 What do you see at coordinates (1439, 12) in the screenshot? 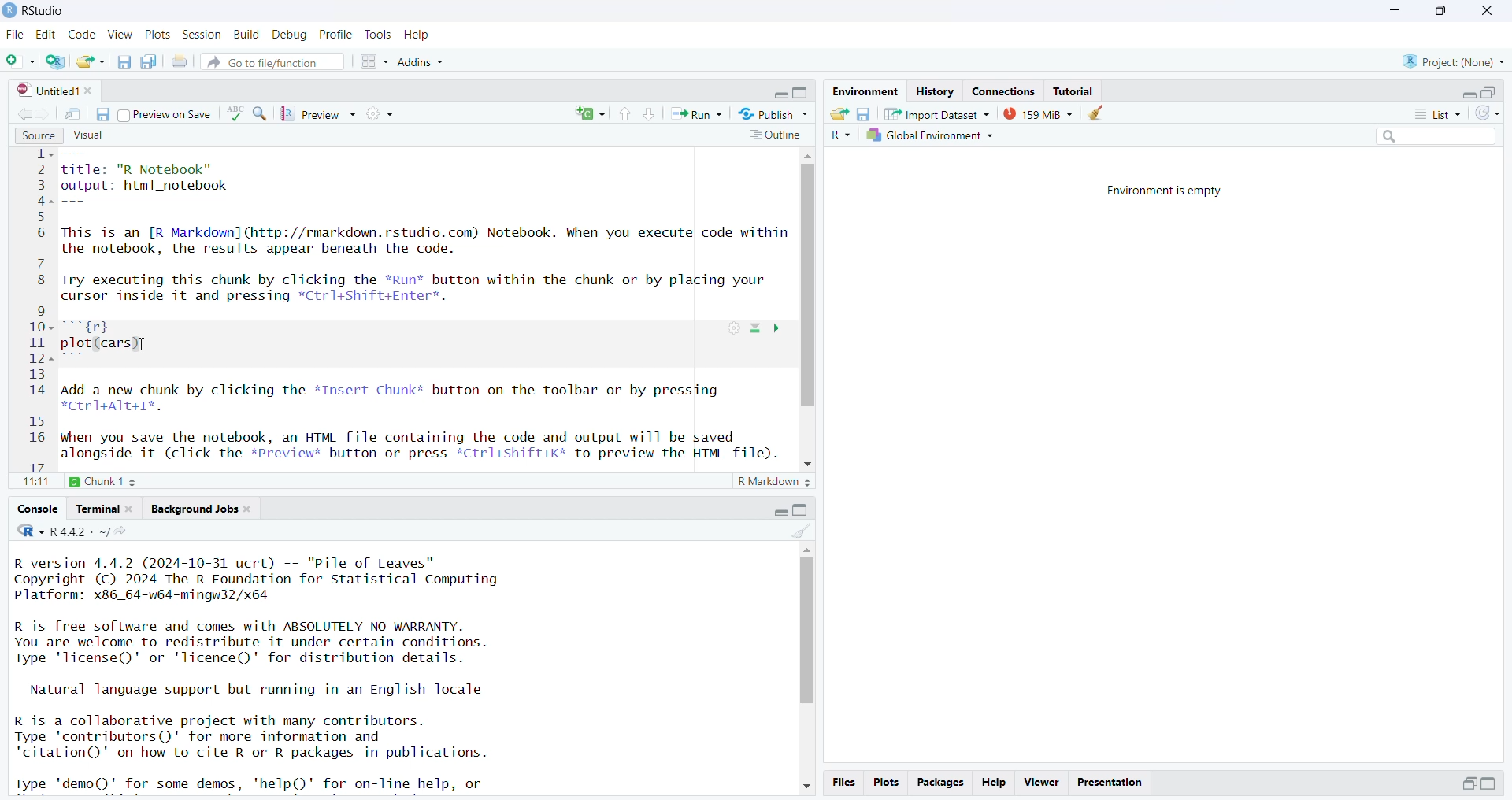
I see `maximize` at bounding box center [1439, 12].